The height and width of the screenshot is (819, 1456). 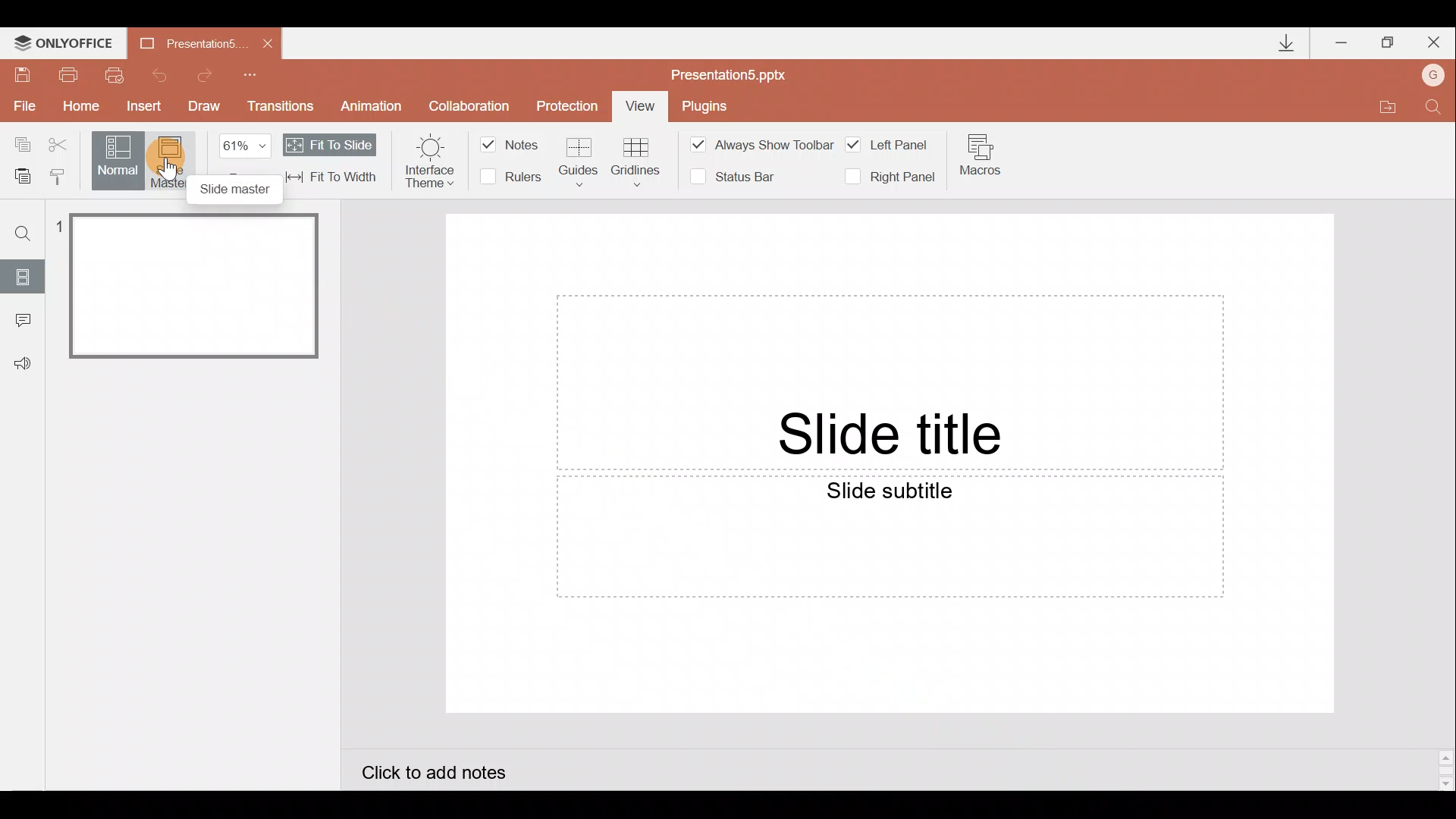 What do you see at coordinates (174, 162) in the screenshot?
I see `Master slides` at bounding box center [174, 162].